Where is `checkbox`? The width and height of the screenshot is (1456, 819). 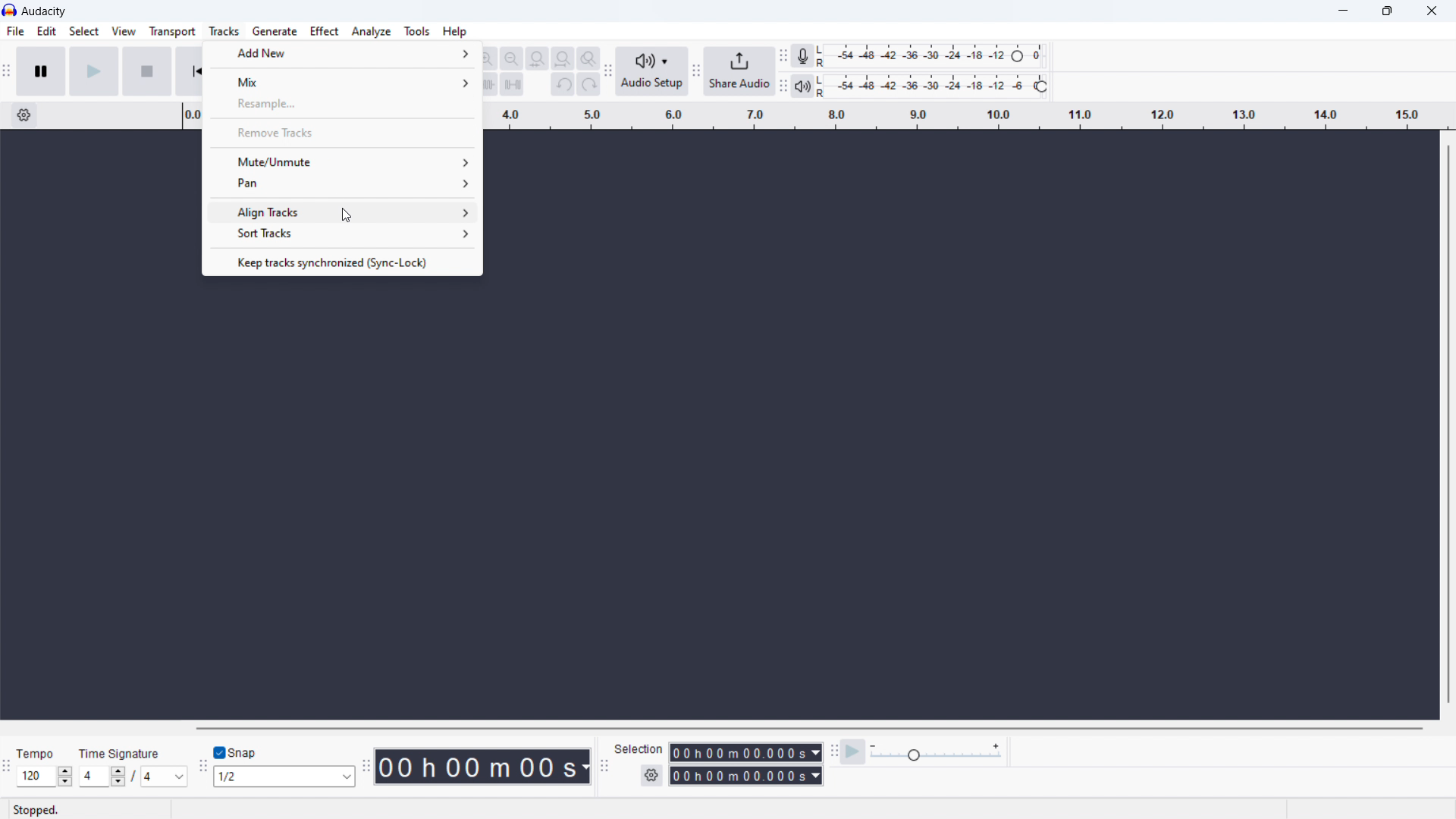 checkbox is located at coordinates (221, 752).